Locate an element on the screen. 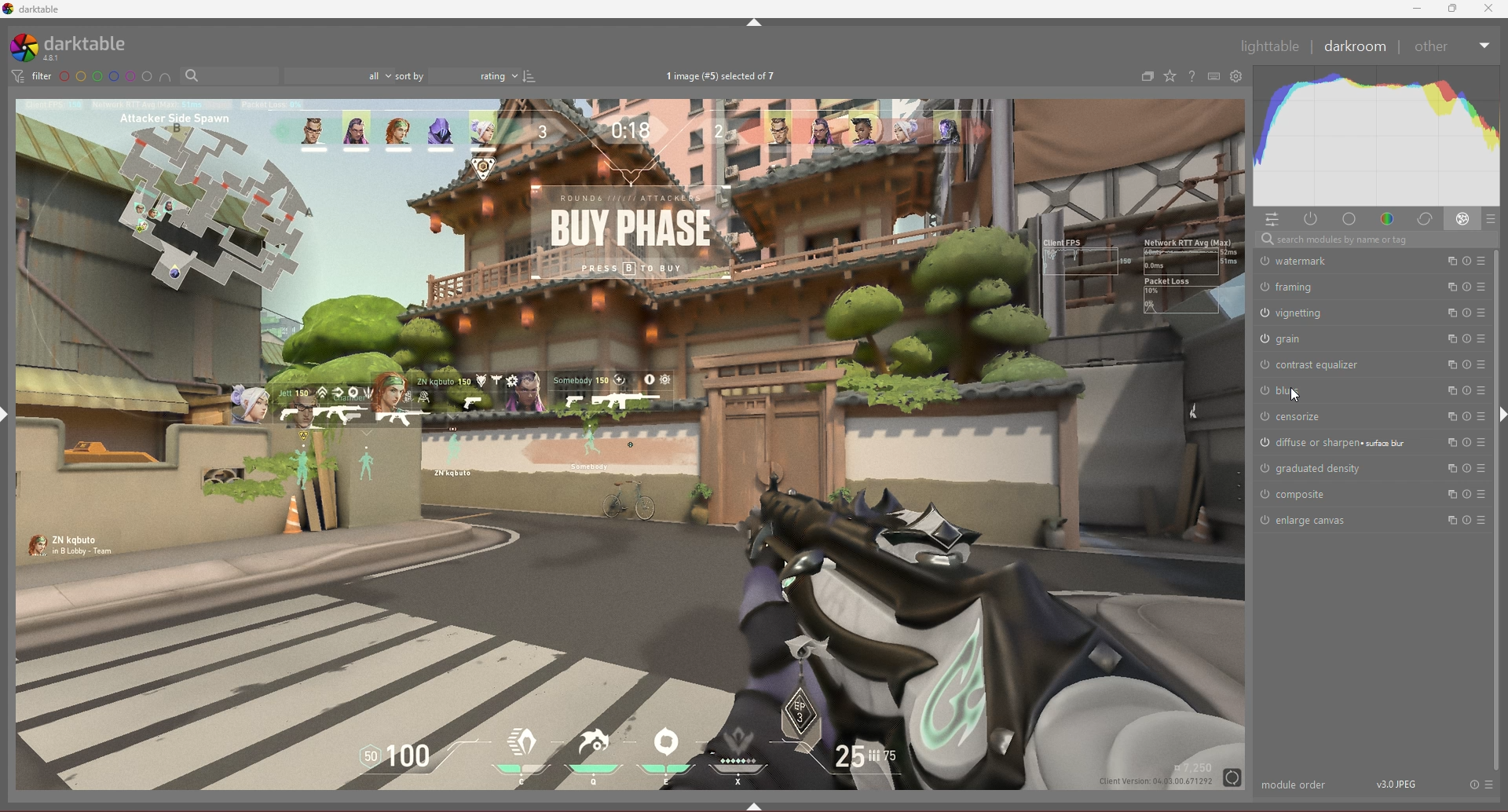  other is located at coordinates (1452, 47).